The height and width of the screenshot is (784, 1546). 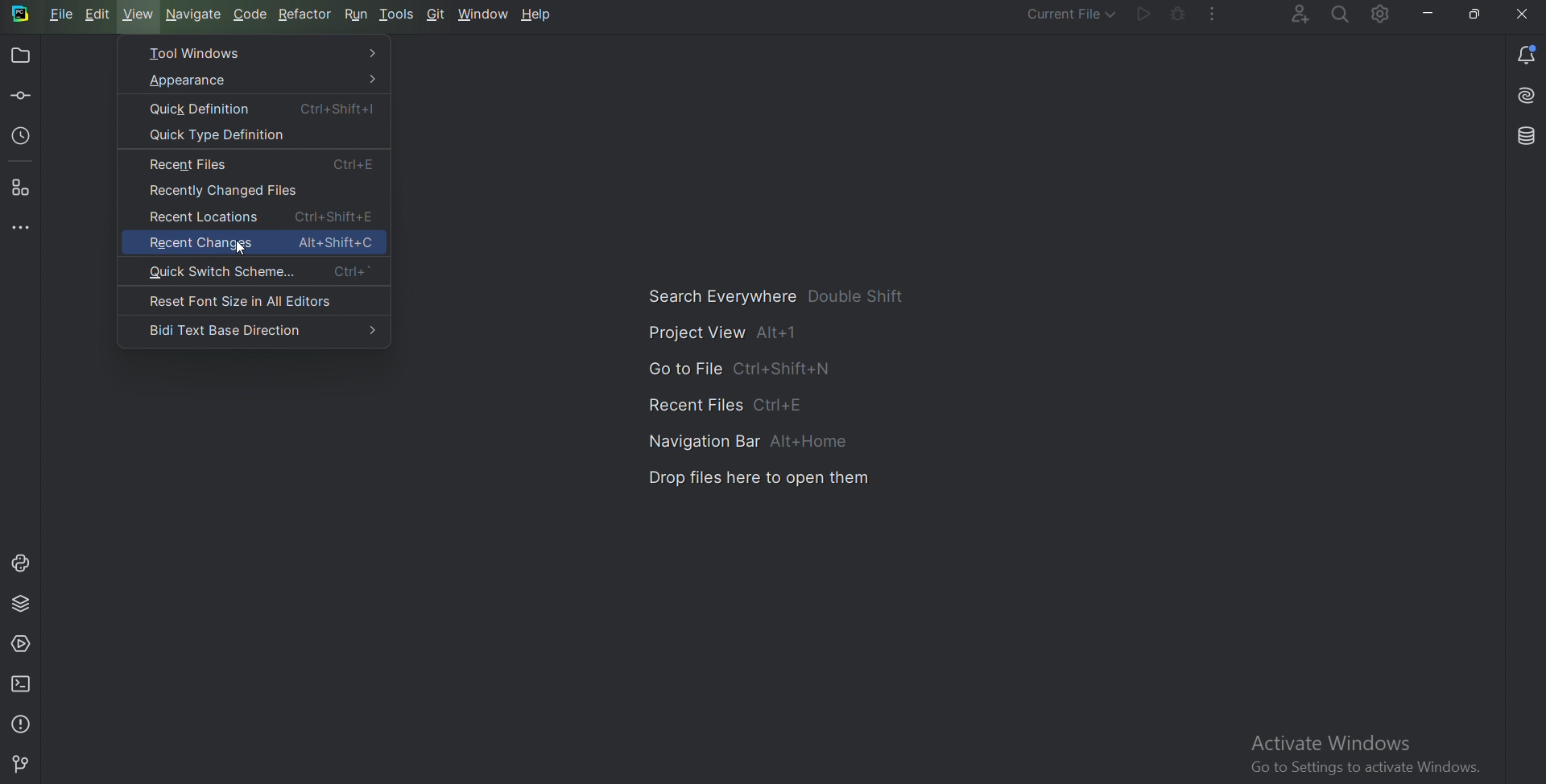 What do you see at coordinates (20, 563) in the screenshot?
I see `Python console` at bounding box center [20, 563].